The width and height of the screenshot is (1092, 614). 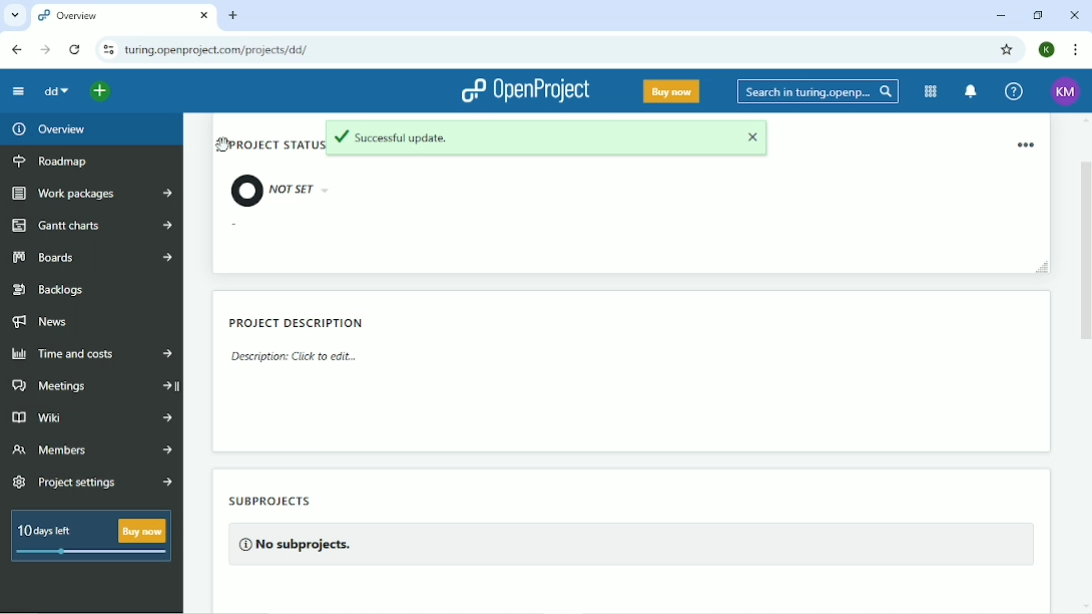 What do you see at coordinates (100, 91) in the screenshot?
I see `Open quick add menu` at bounding box center [100, 91].